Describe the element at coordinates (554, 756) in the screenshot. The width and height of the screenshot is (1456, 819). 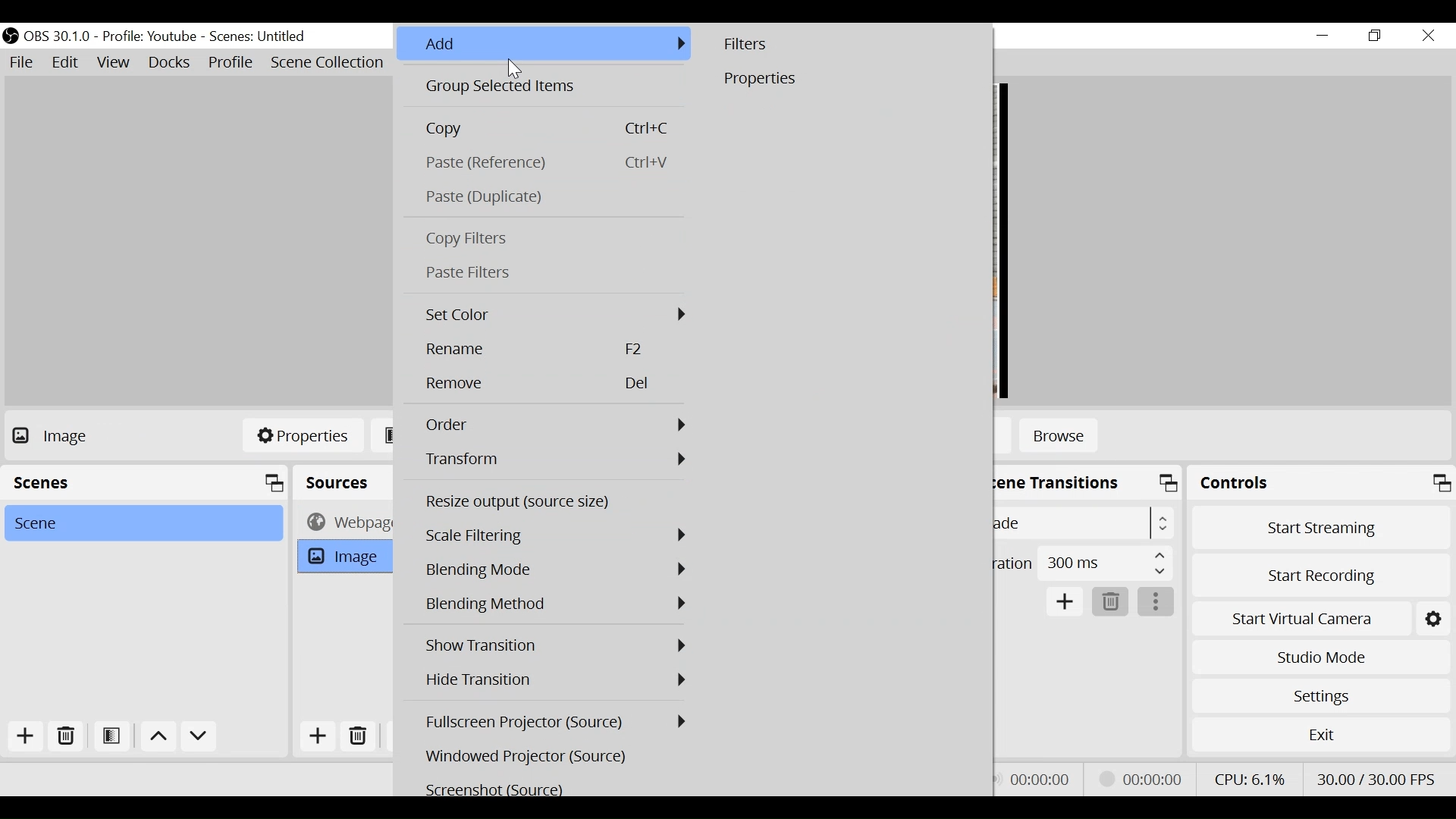
I see `Windowed Projector (Source)` at that location.